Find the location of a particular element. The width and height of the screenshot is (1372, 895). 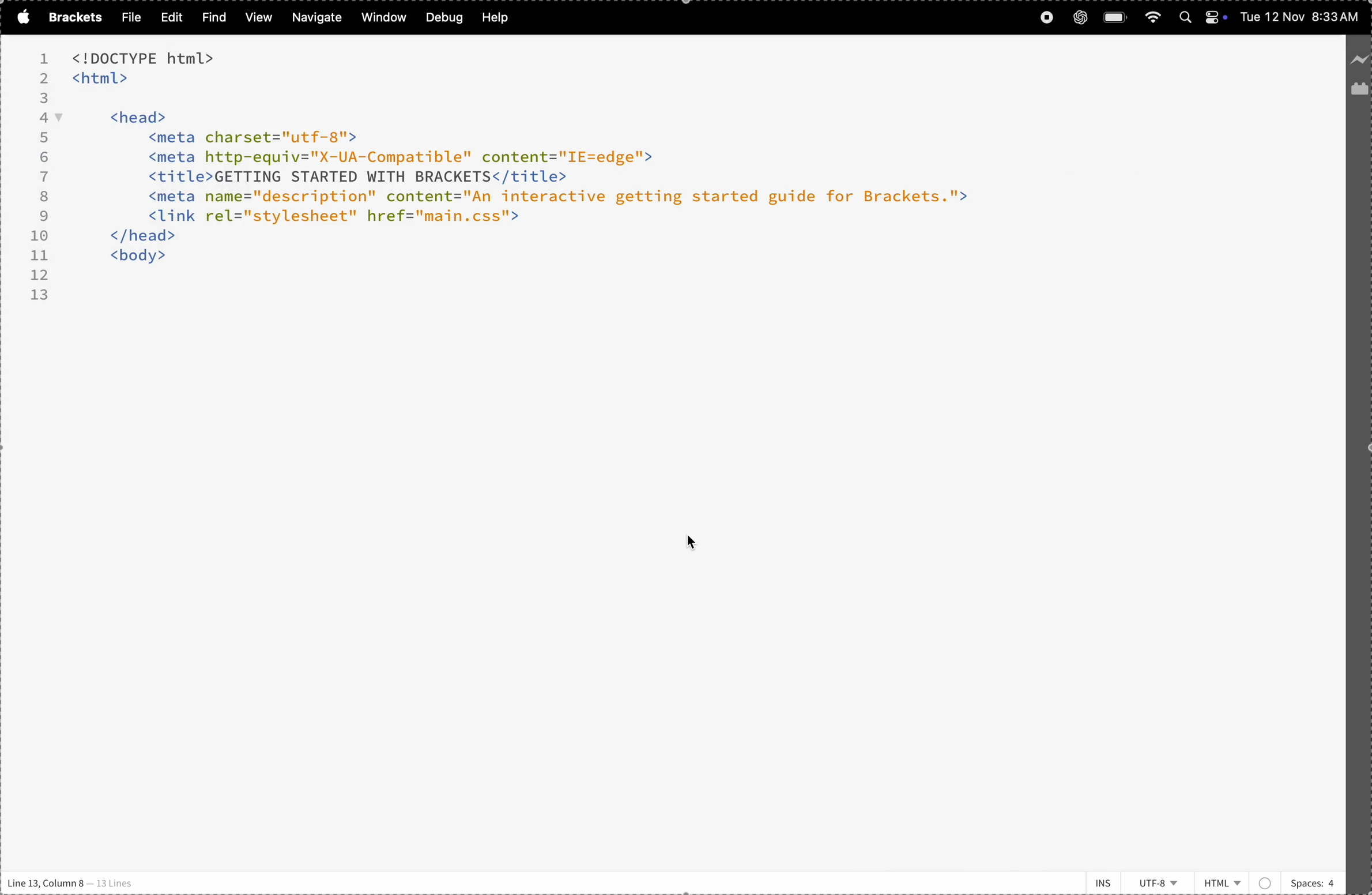

code block is located at coordinates (558, 179).